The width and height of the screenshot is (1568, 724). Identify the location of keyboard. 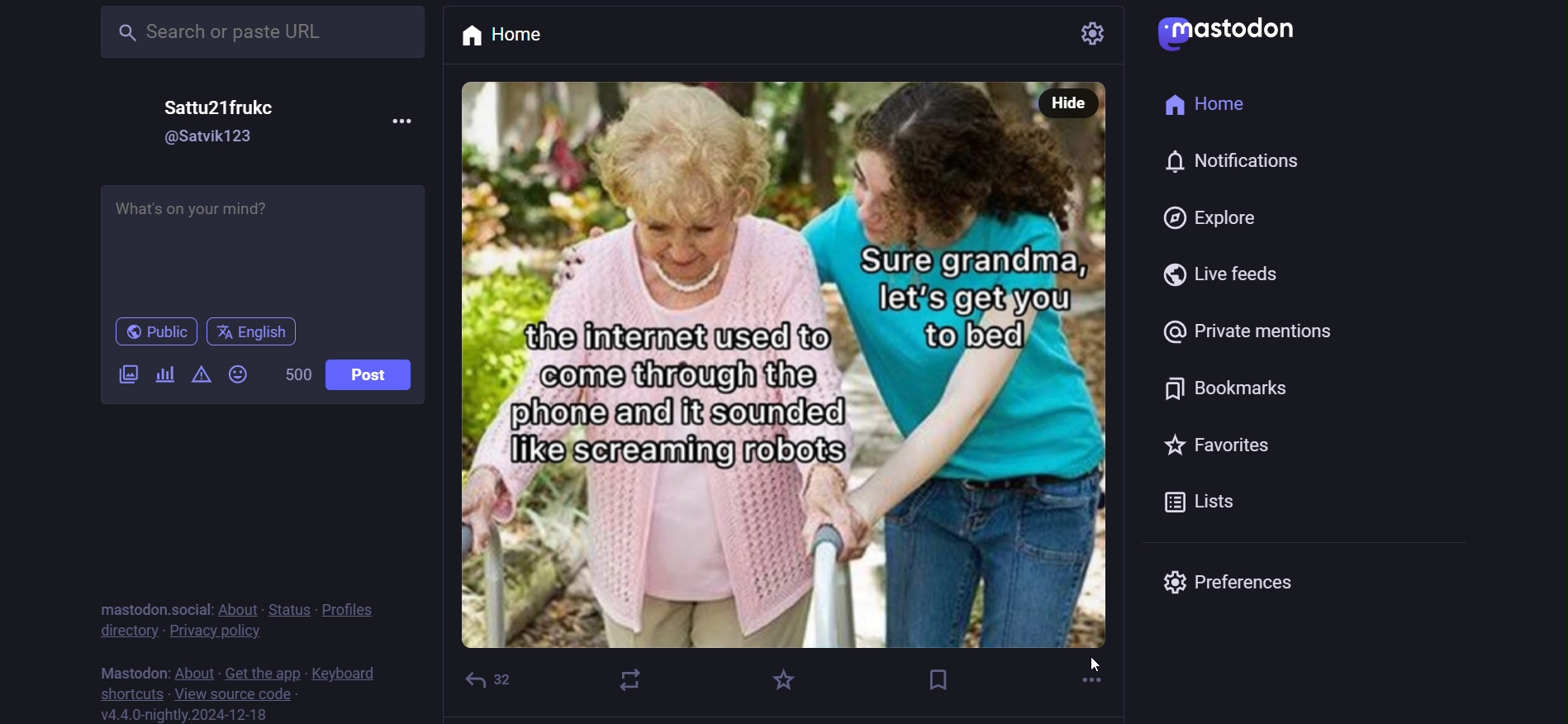
(346, 674).